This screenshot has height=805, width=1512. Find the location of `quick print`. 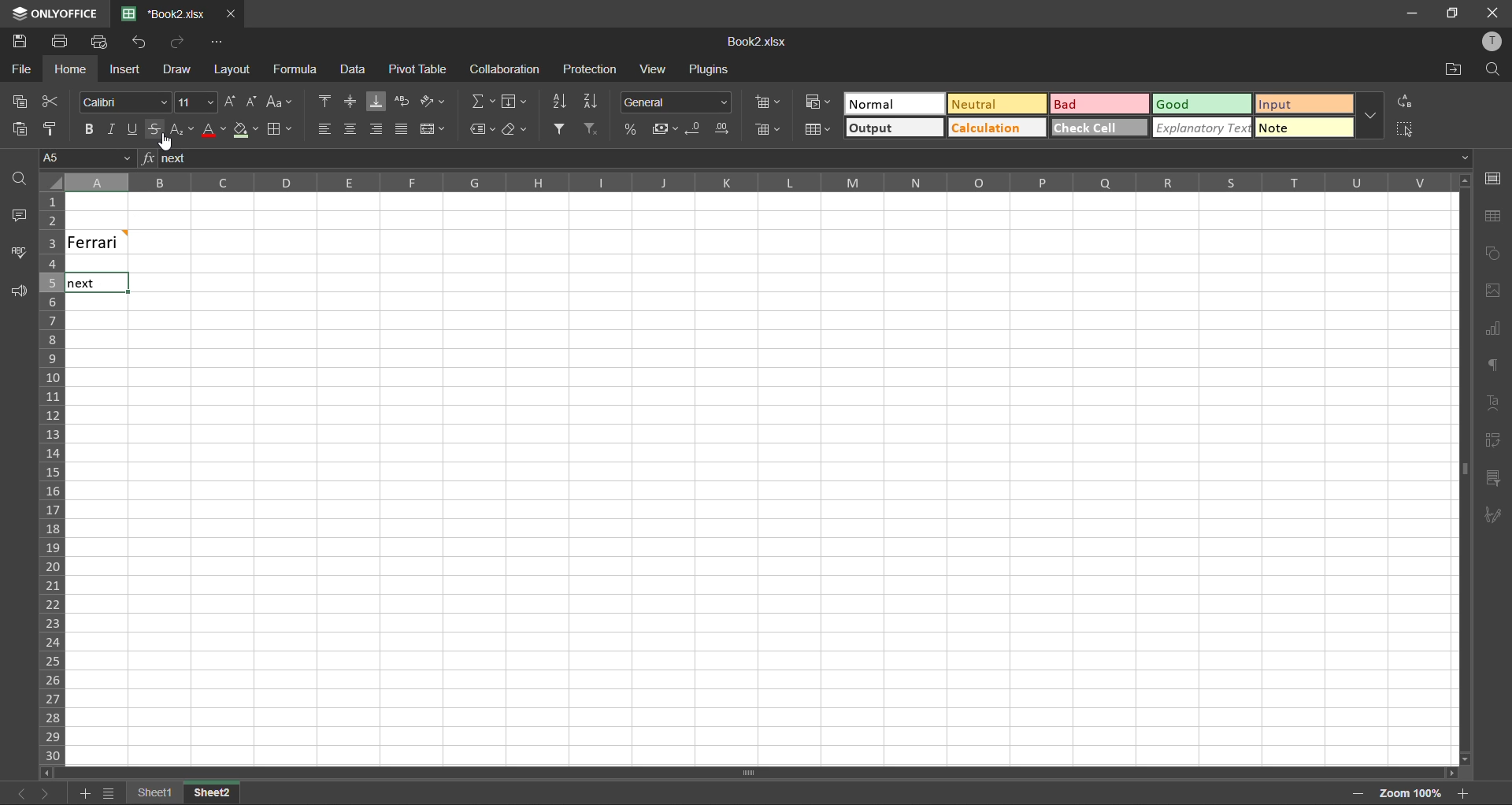

quick print is located at coordinates (99, 43).